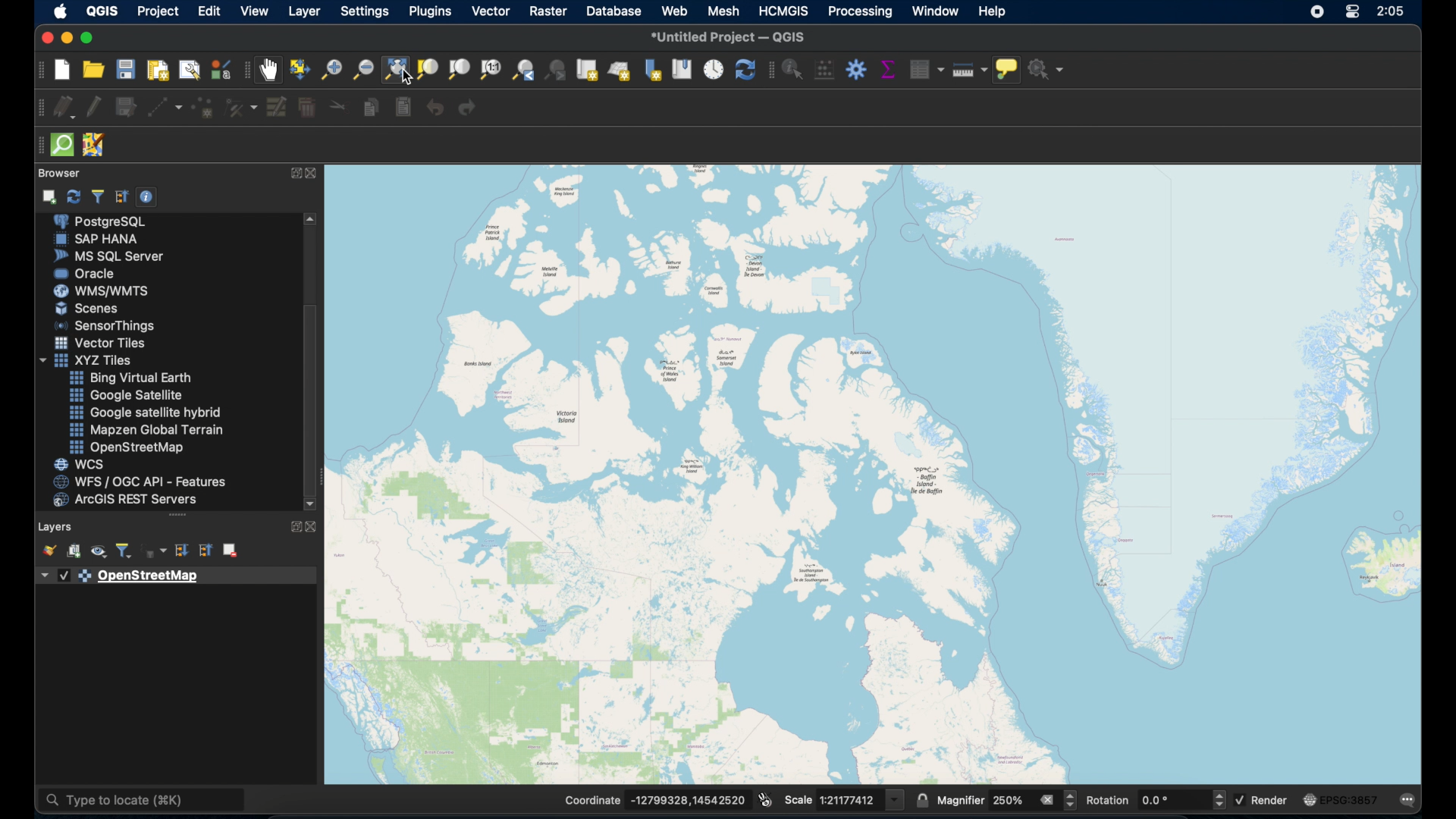 The image size is (1456, 819). What do you see at coordinates (436, 108) in the screenshot?
I see `undo` at bounding box center [436, 108].